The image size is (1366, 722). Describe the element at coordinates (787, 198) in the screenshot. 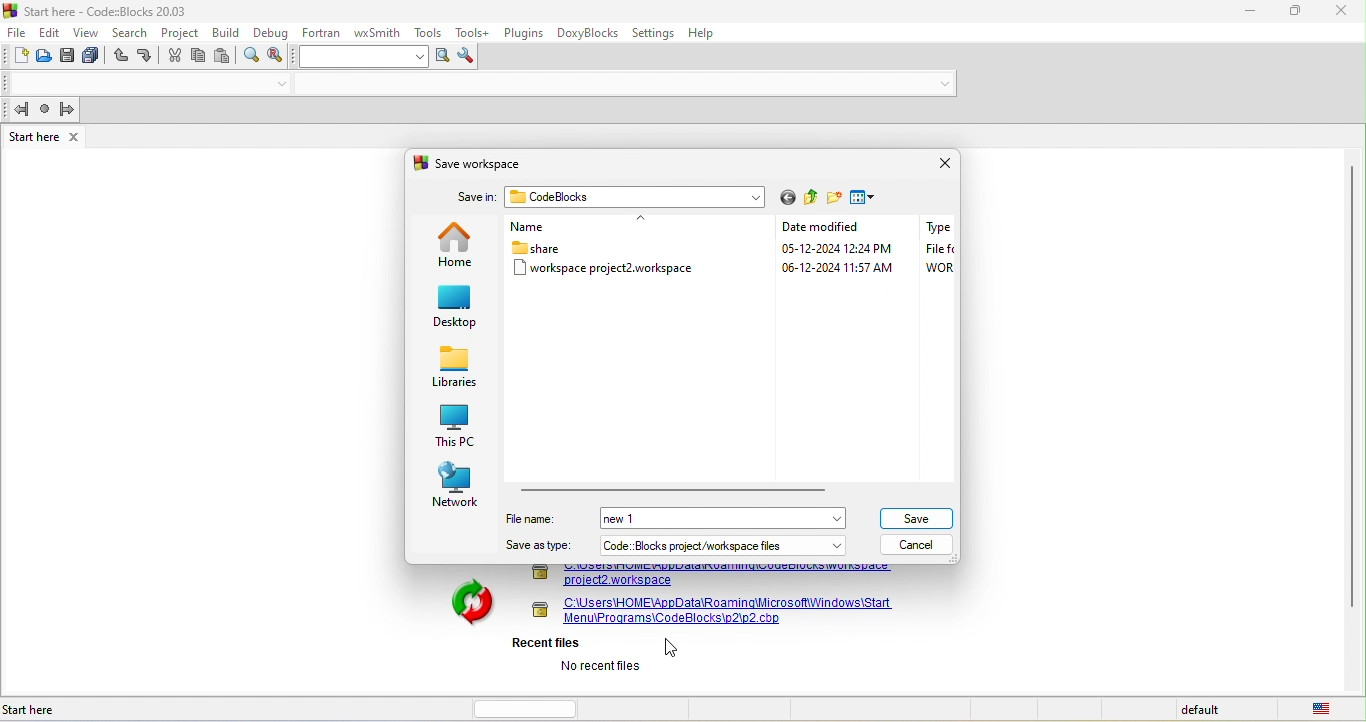

I see `go to last folder` at that location.